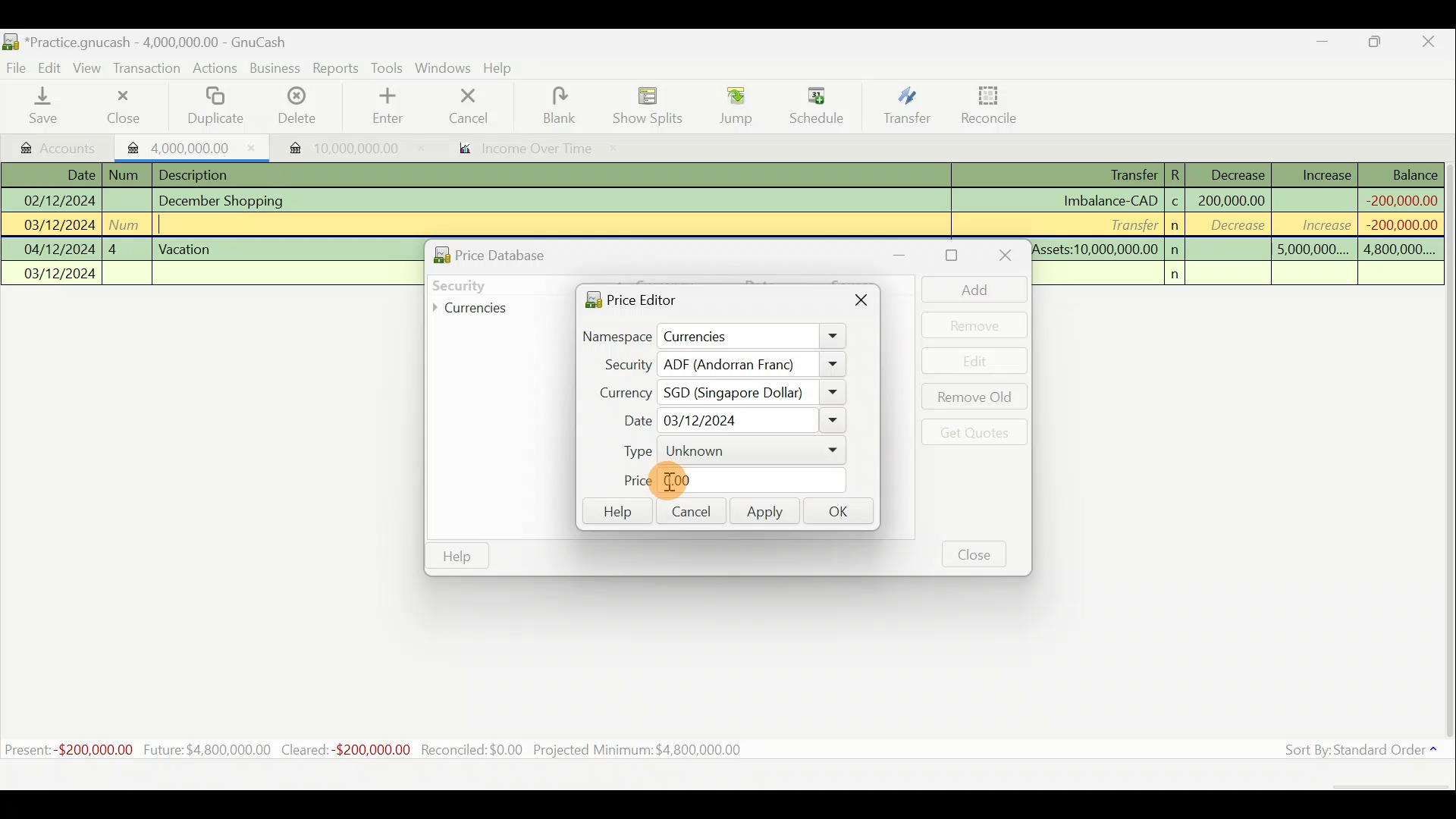 This screenshot has width=1456, height=819. I want to click on Date, so click(727, 421).